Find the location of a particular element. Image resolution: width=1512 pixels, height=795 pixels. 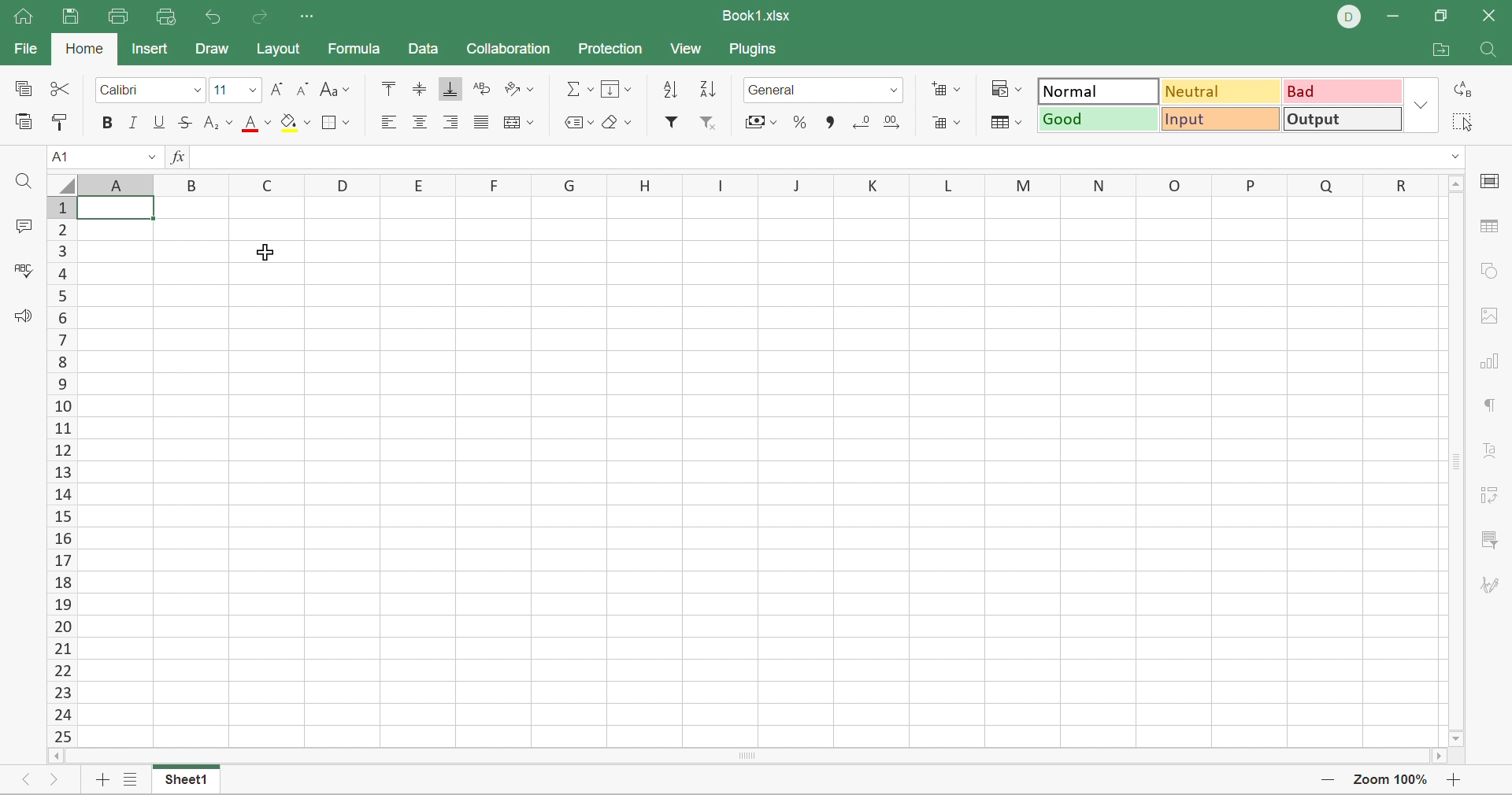

Align Top is located at coordinates (387, 87).